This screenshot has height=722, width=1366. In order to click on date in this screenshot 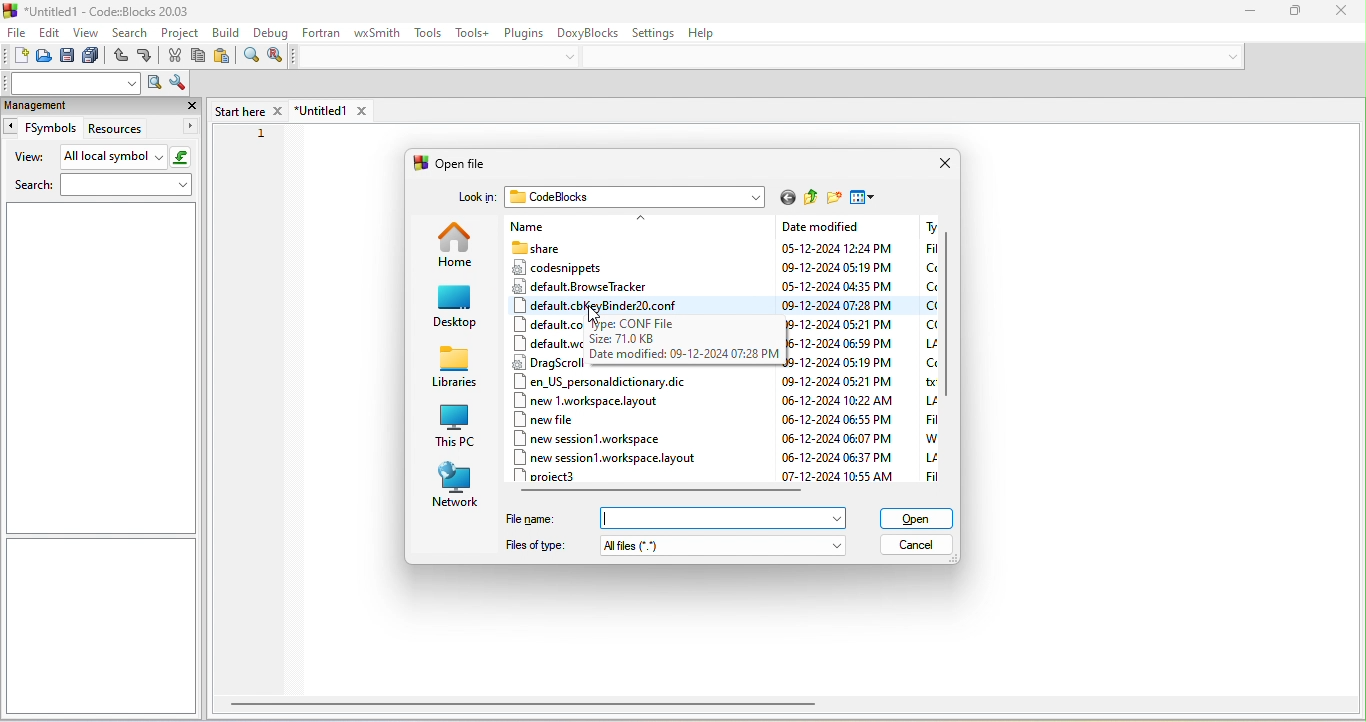, I will do `click(838, 285)`.